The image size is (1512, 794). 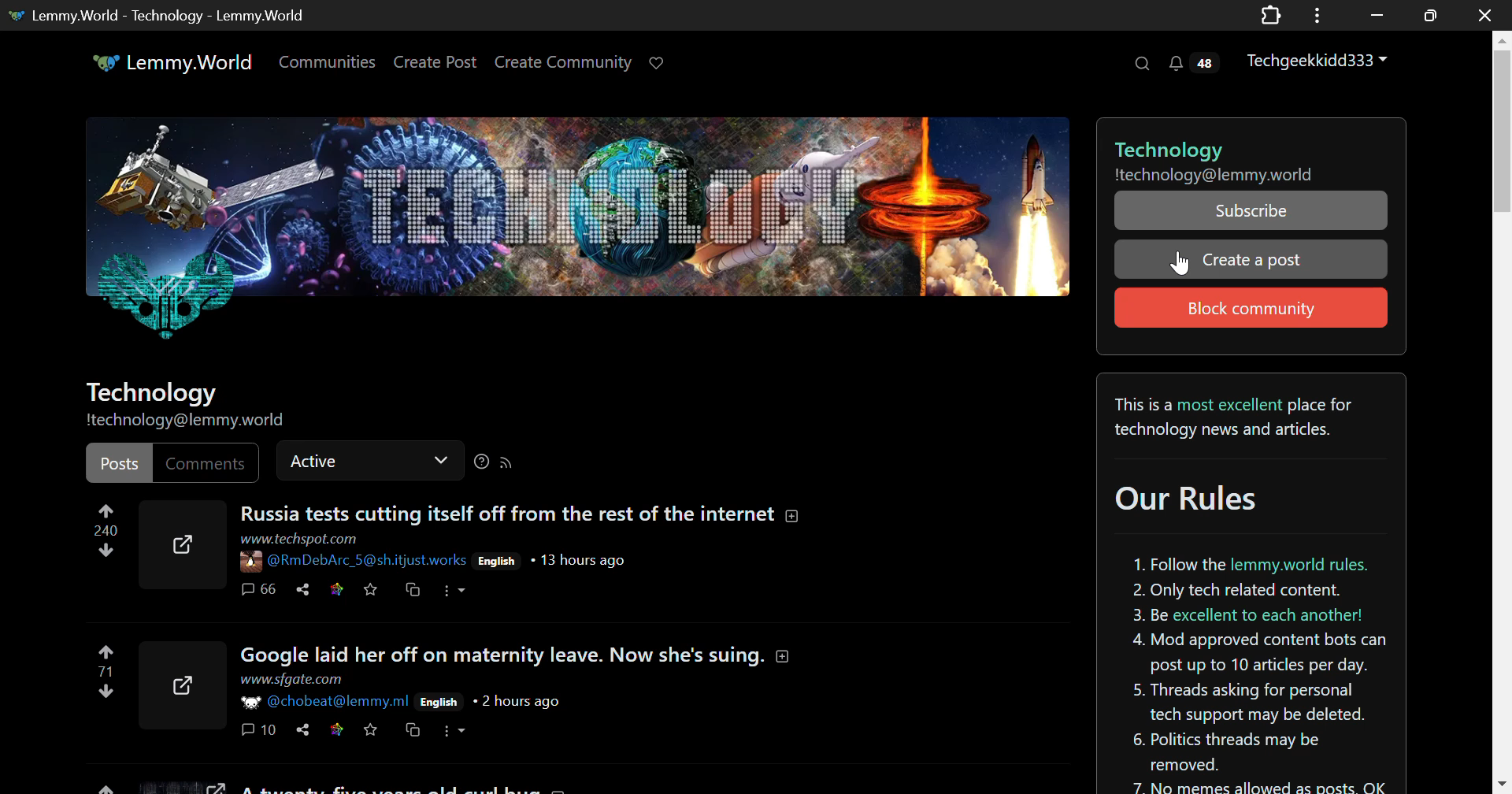 I want to click on Save Link, so click(x=338, y=587).